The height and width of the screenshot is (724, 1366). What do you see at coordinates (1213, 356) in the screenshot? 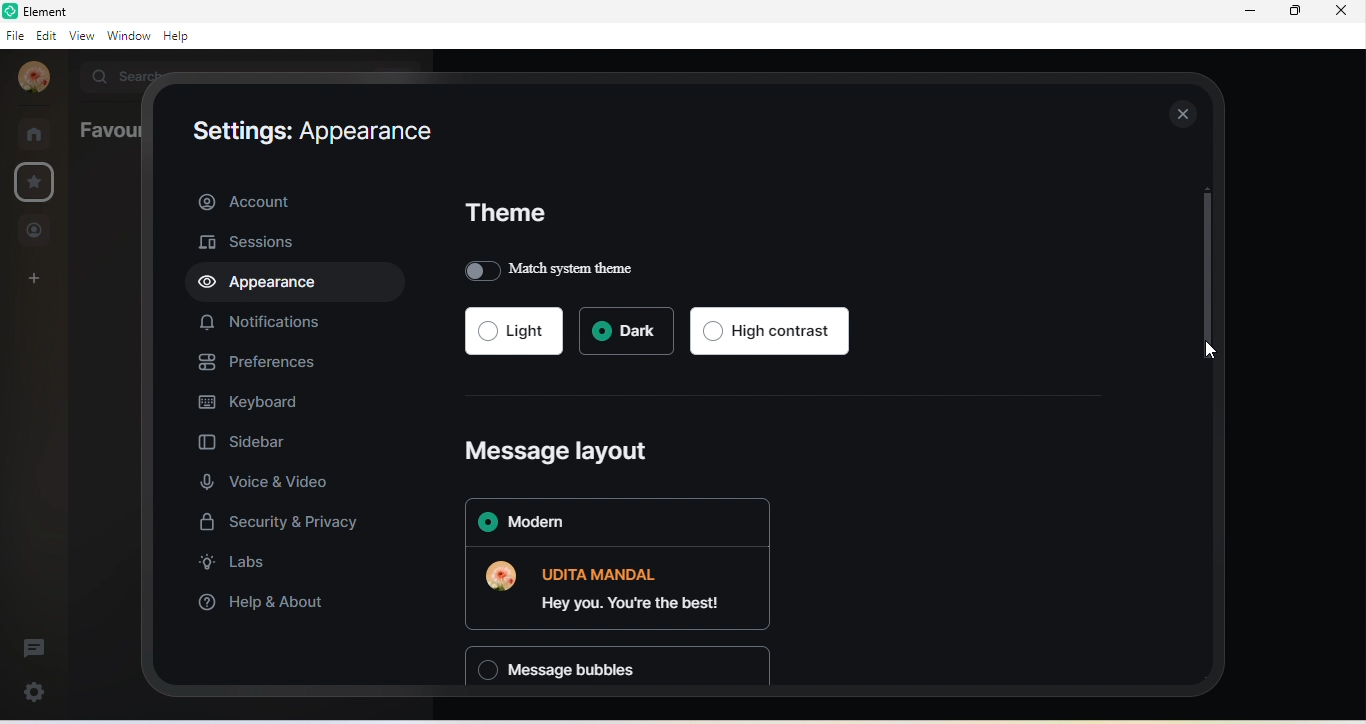
I see `cursor movement` at bounding box center [1213, 356].